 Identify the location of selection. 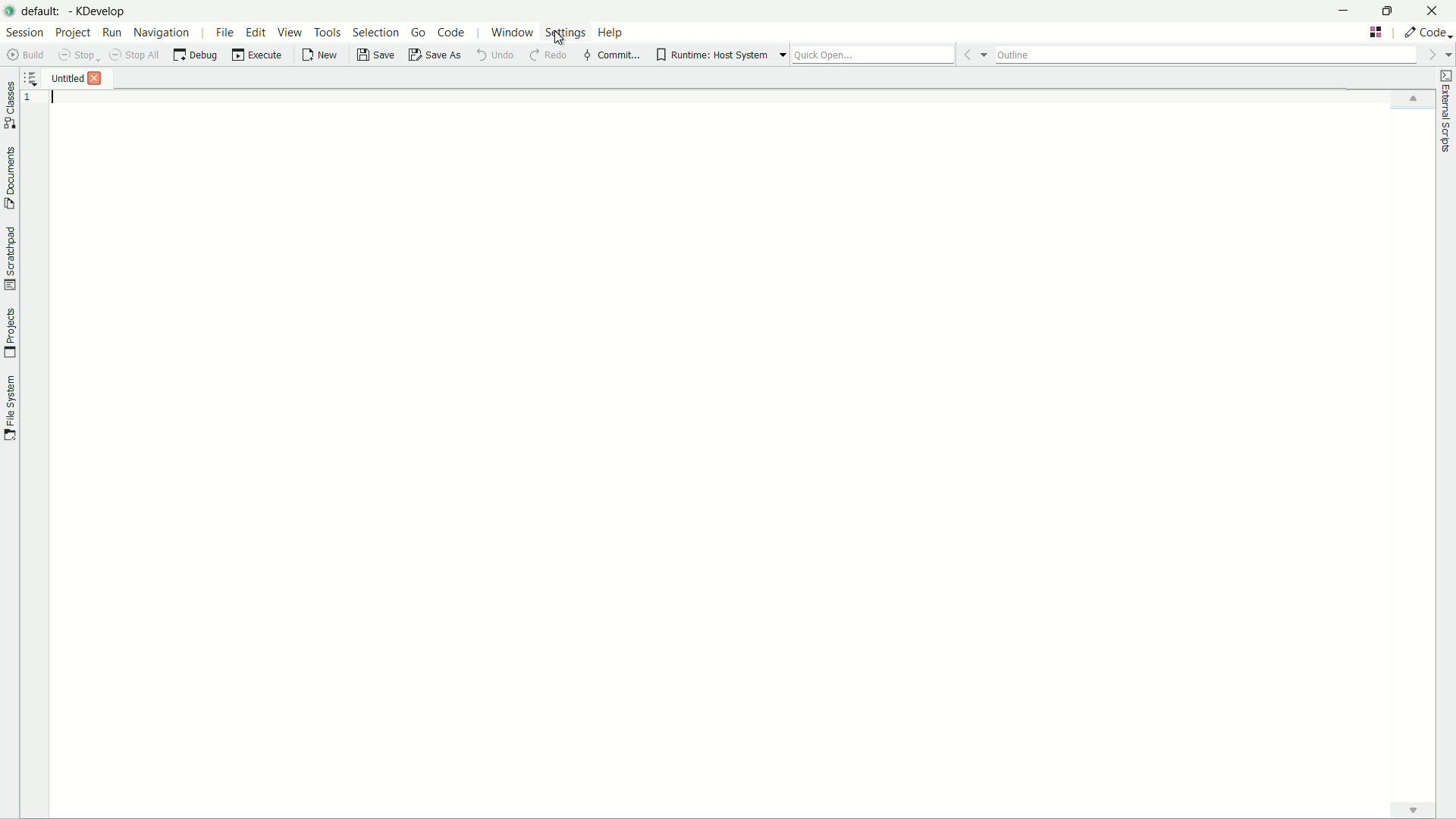
(374, 33).